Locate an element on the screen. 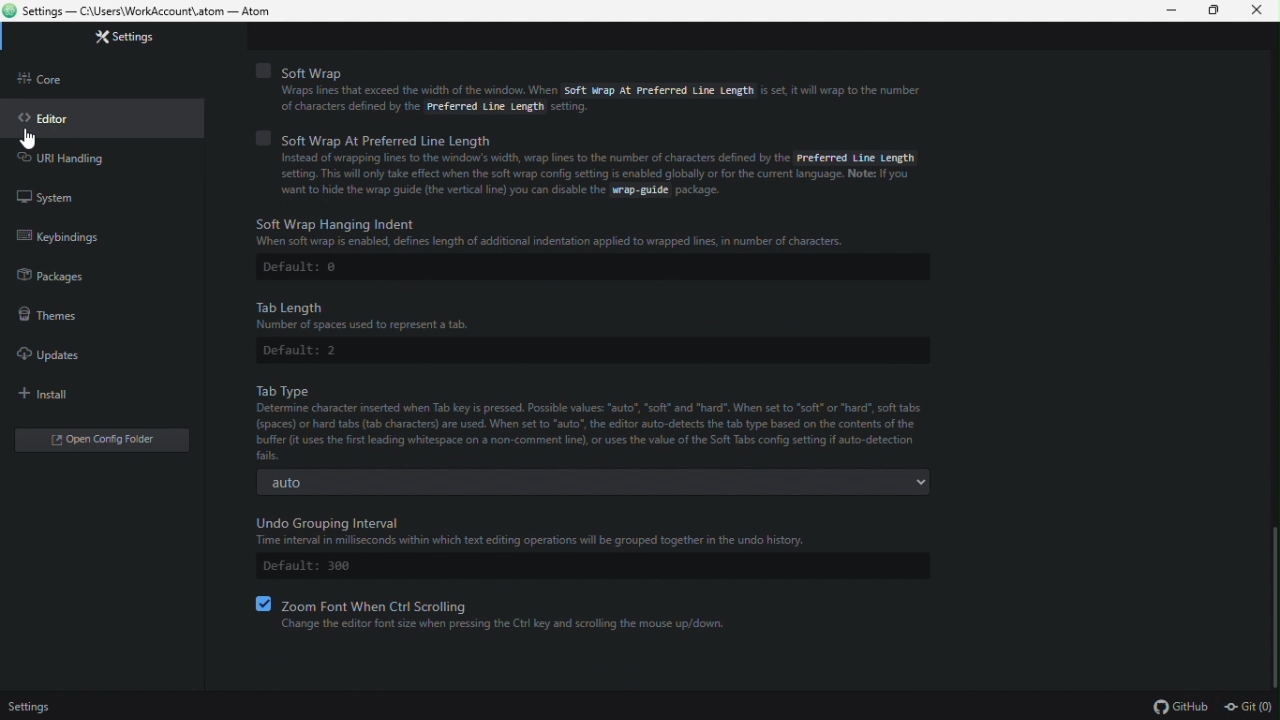  scrollbar is located at coordinates (1269, 585).